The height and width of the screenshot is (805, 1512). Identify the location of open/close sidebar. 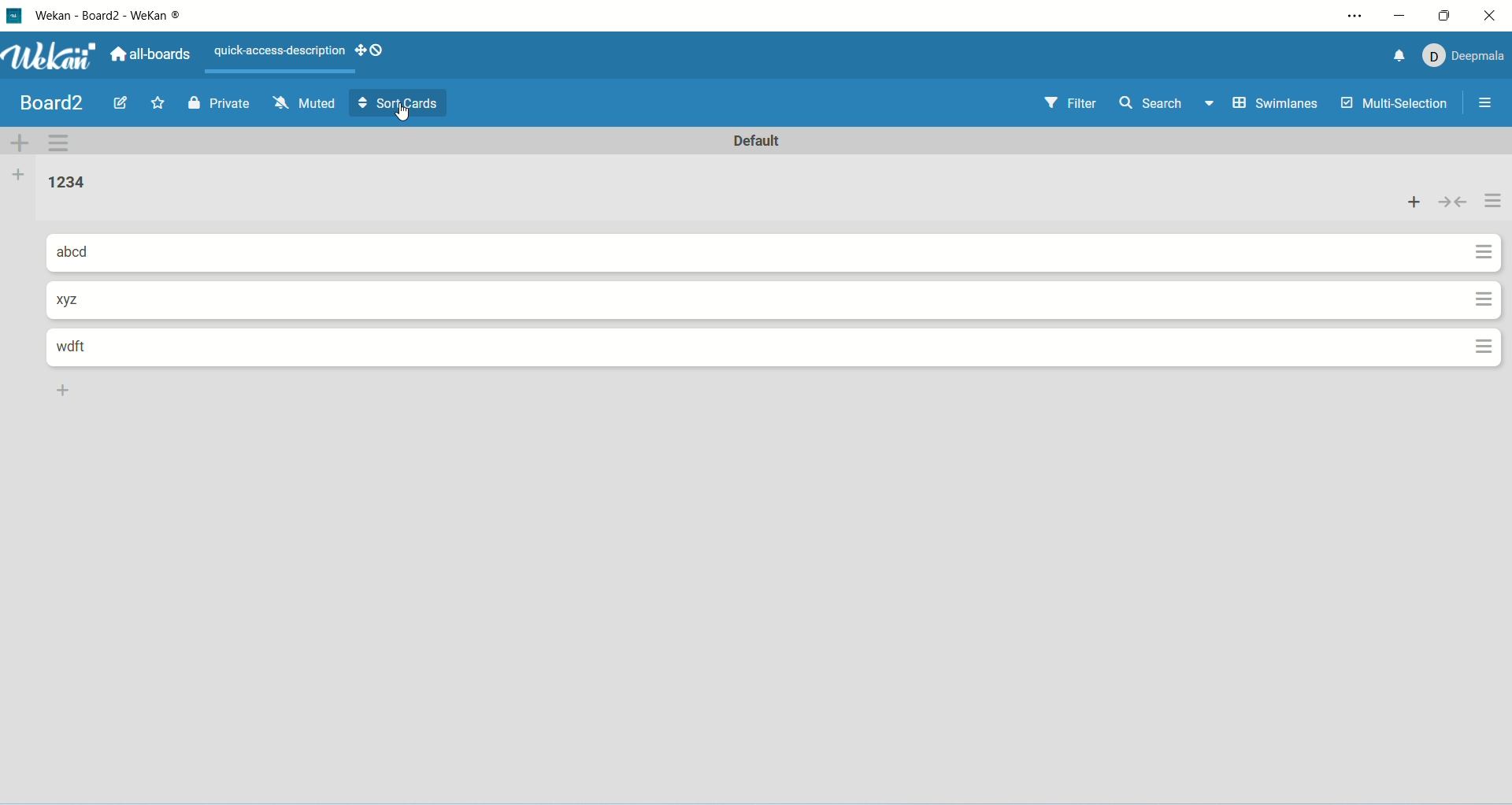
(1487, 103).